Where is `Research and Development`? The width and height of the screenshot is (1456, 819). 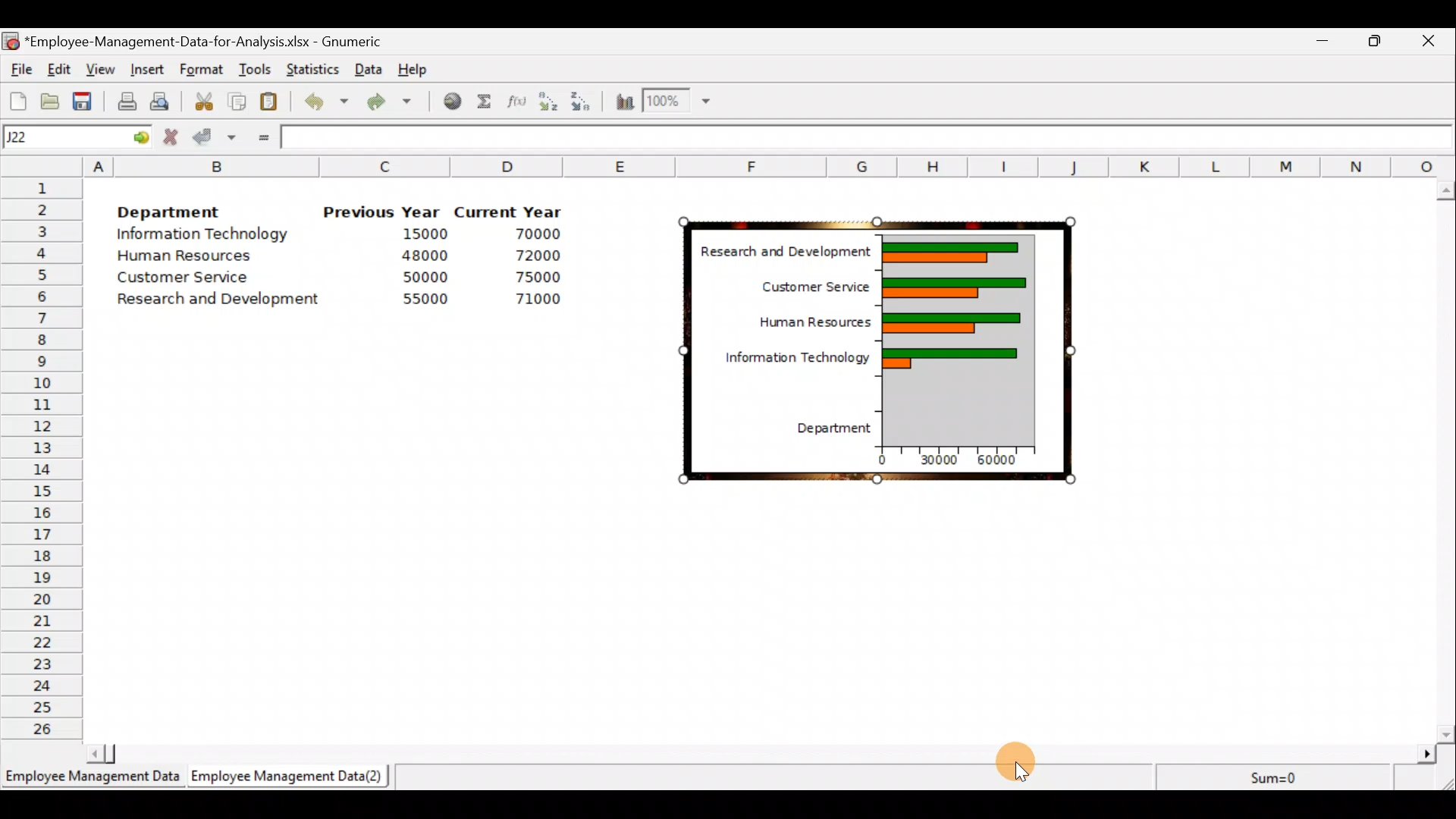
Research and Development is located at coordinates (775, 249).